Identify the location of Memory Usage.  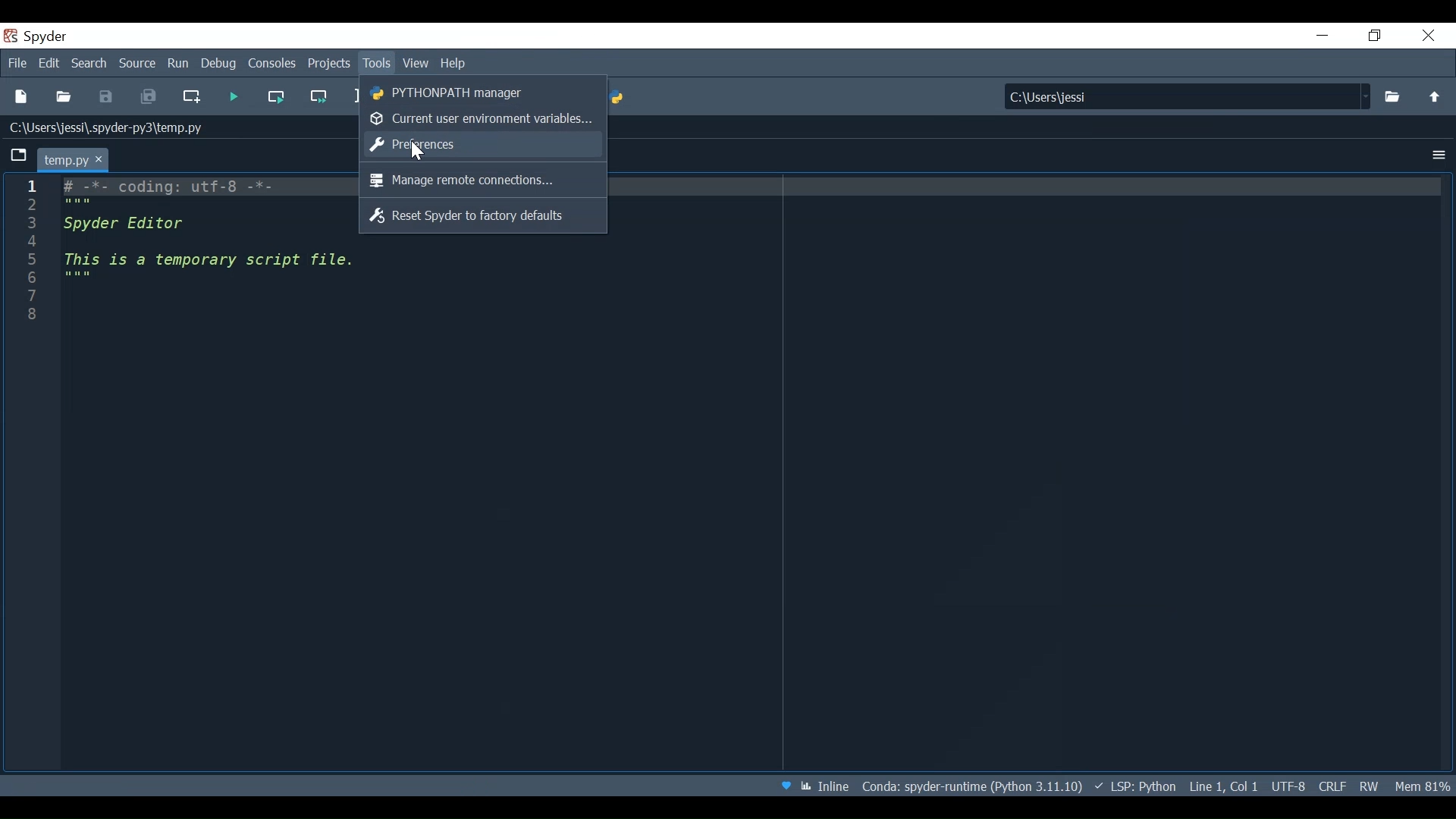
(1419, 786).